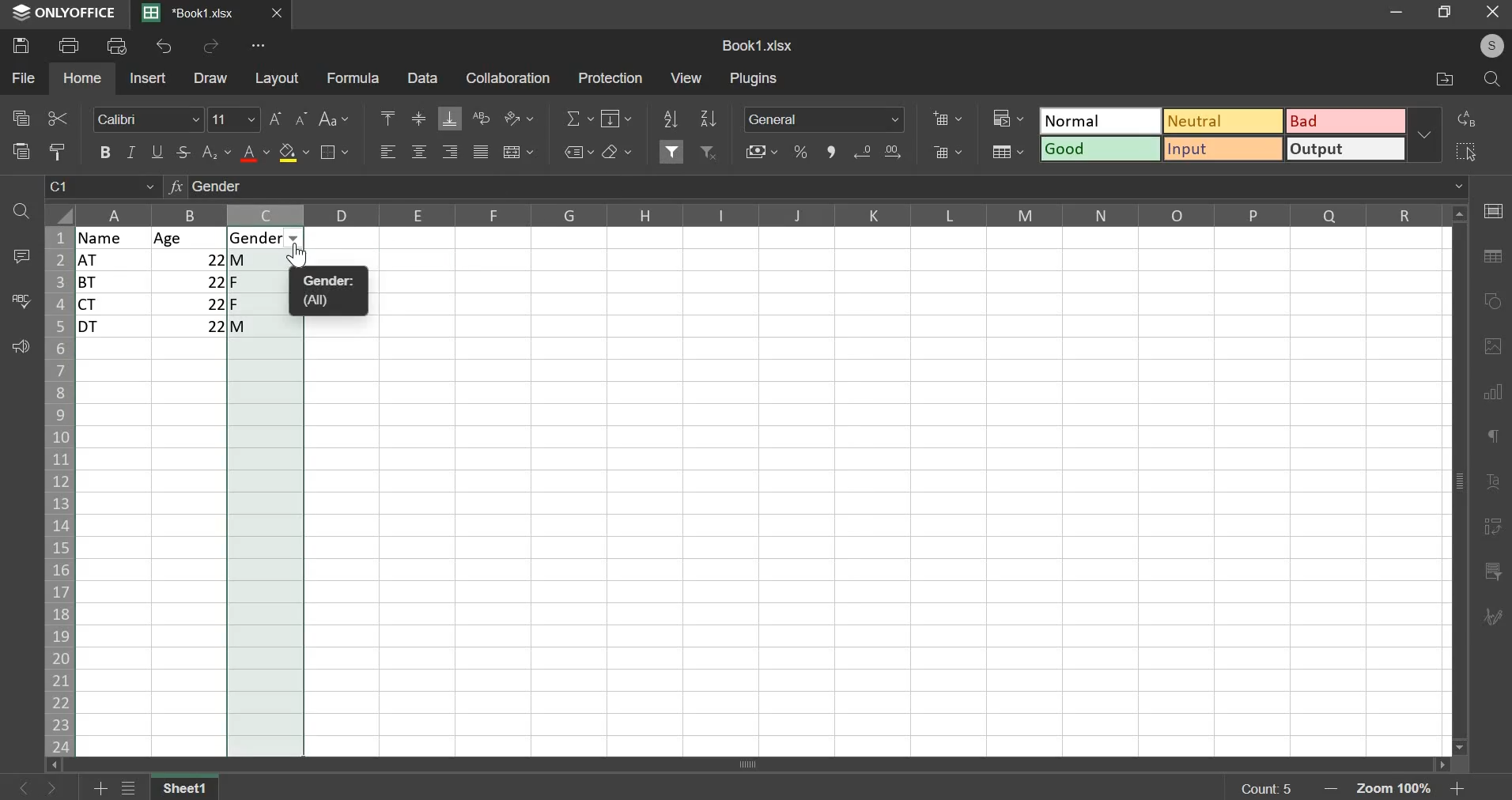 Image resolution: width=1512 pixels, height=800 pixels. I want to click on insert, so click(148, 77).